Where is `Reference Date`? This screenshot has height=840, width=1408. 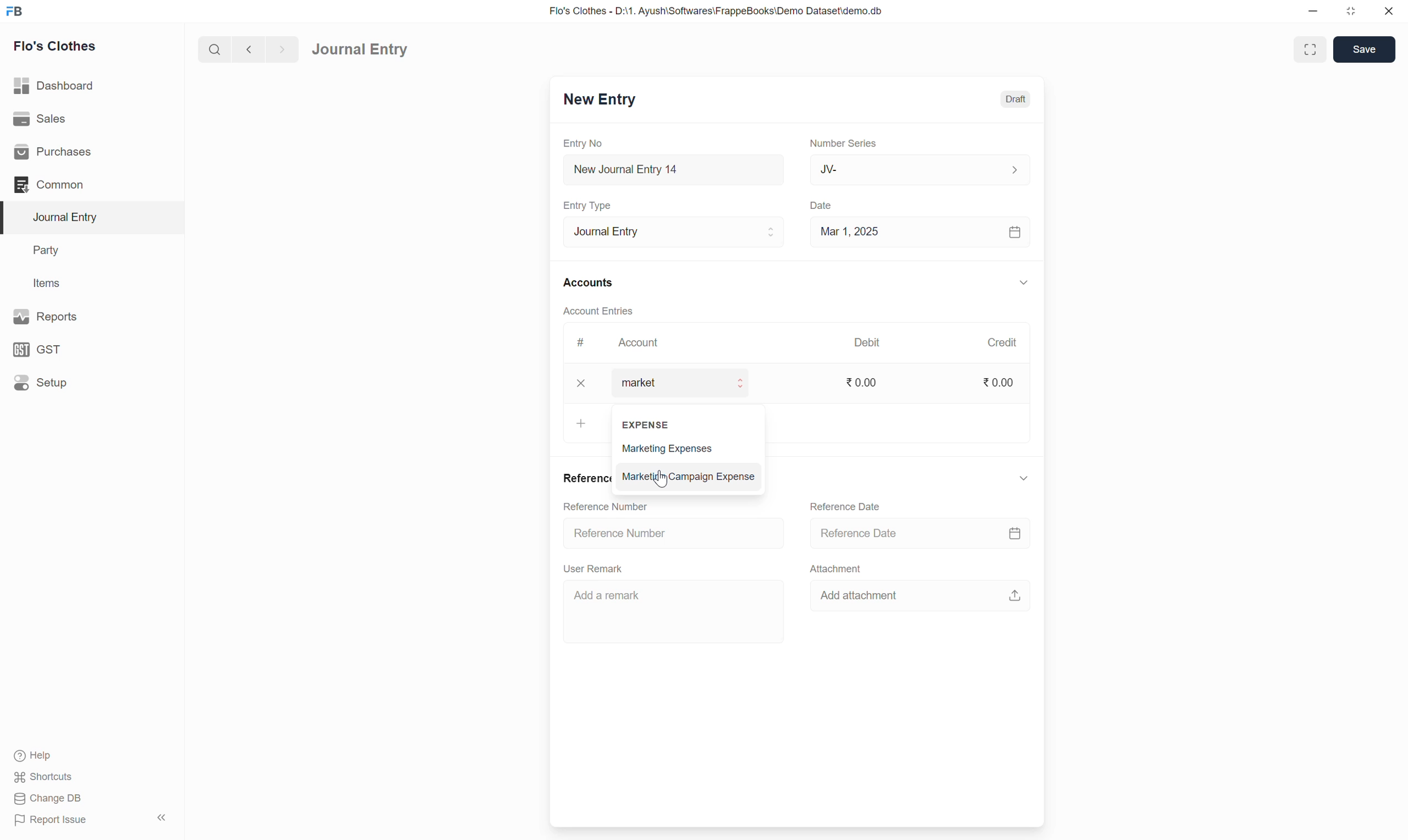
Reference Date is located at coordinates (847, 507).